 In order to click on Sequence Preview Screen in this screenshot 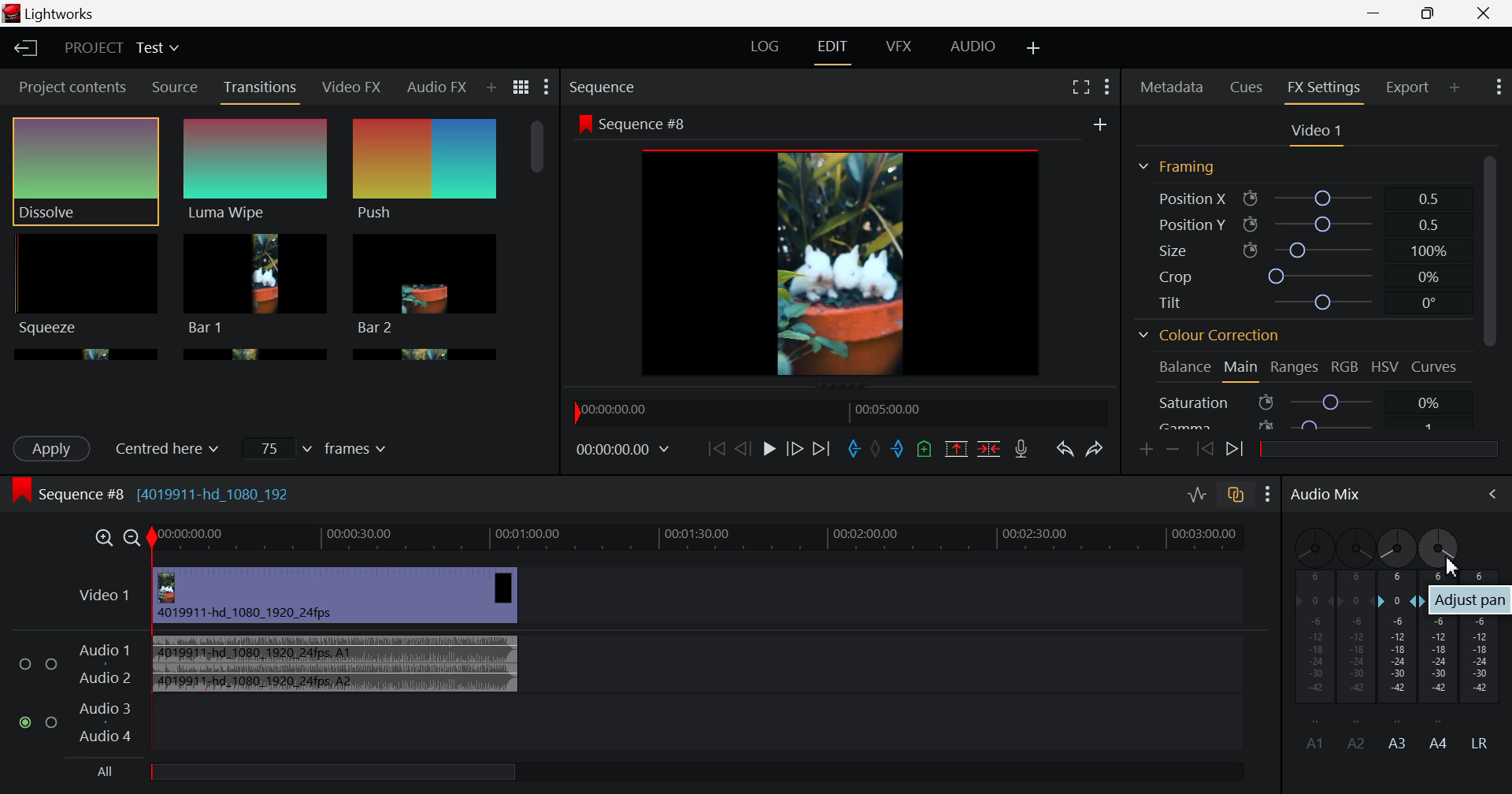, I will do `click(844, 247)`.